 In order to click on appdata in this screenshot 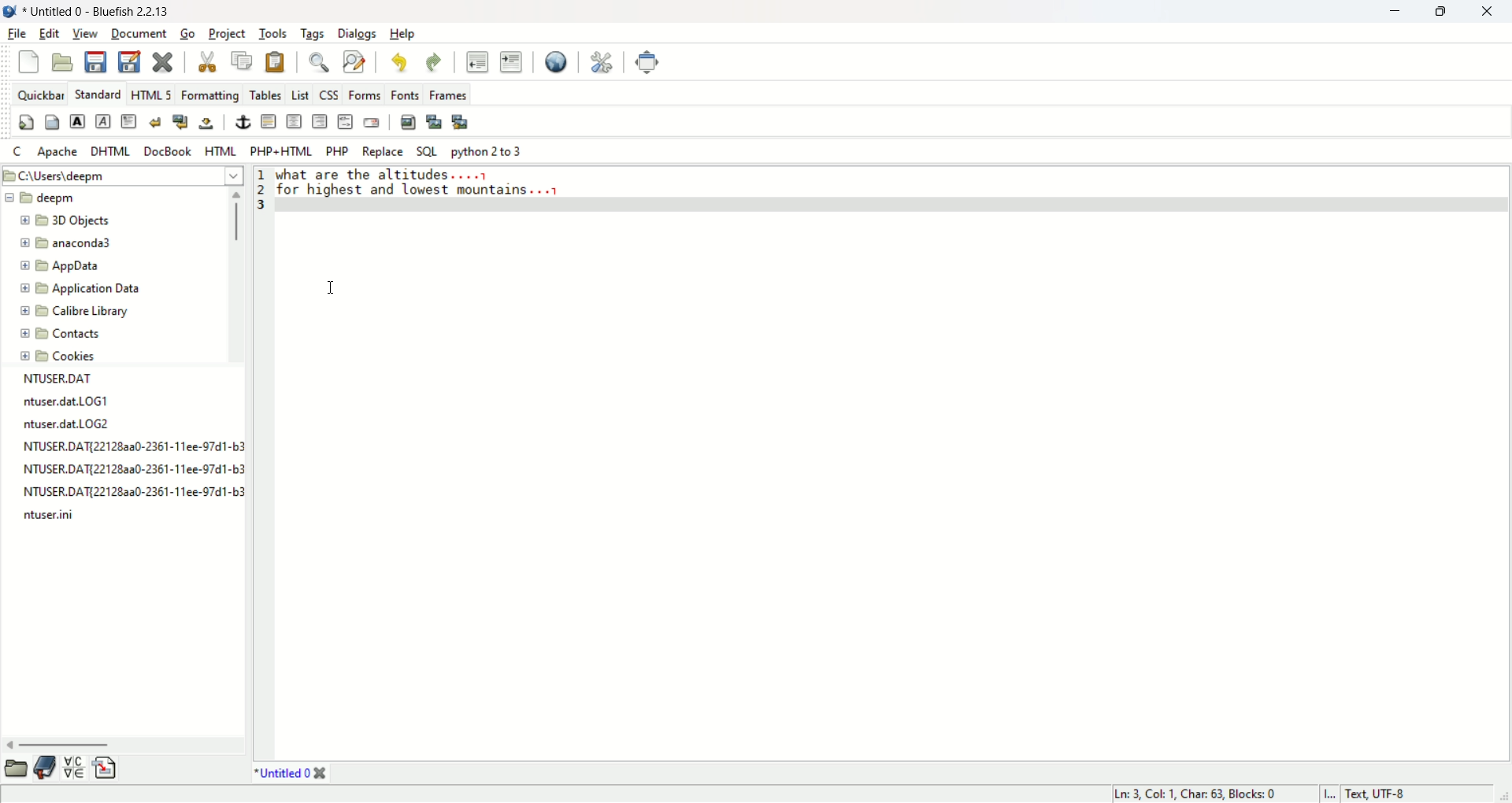, I will do `click(64, 268)`.